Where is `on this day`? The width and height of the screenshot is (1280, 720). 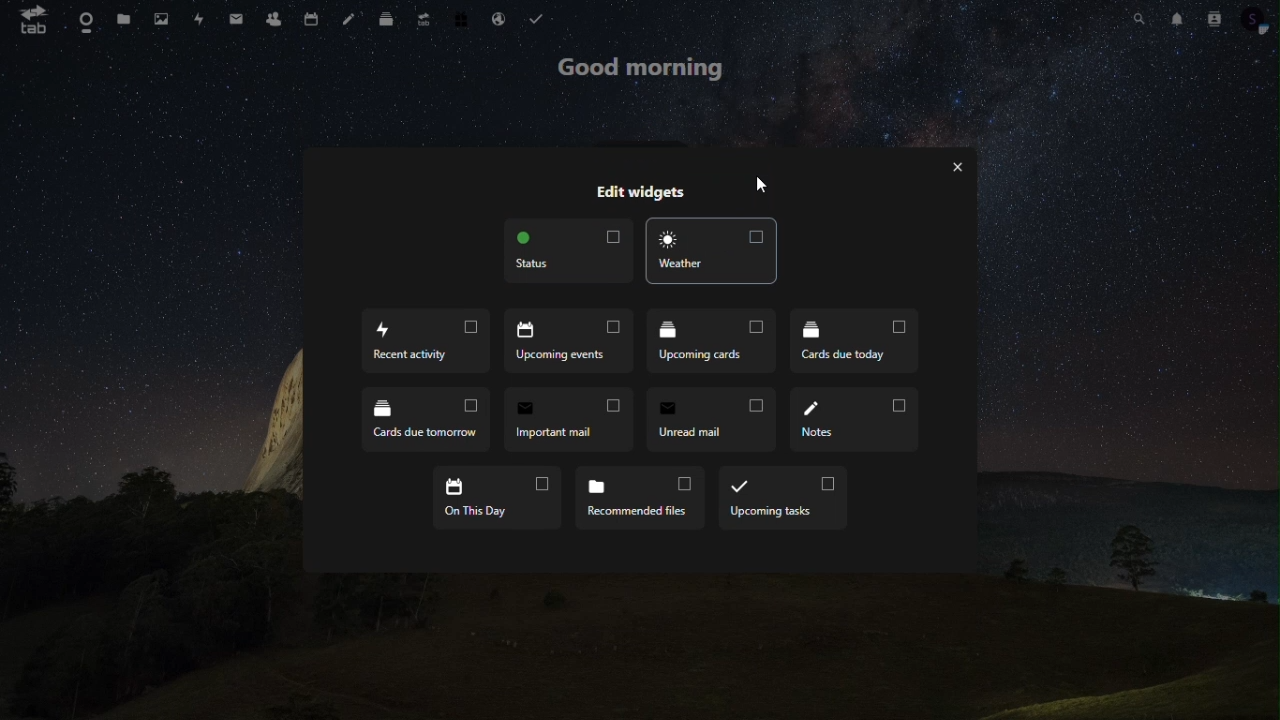
on this day is located at coordinates (490, 500).